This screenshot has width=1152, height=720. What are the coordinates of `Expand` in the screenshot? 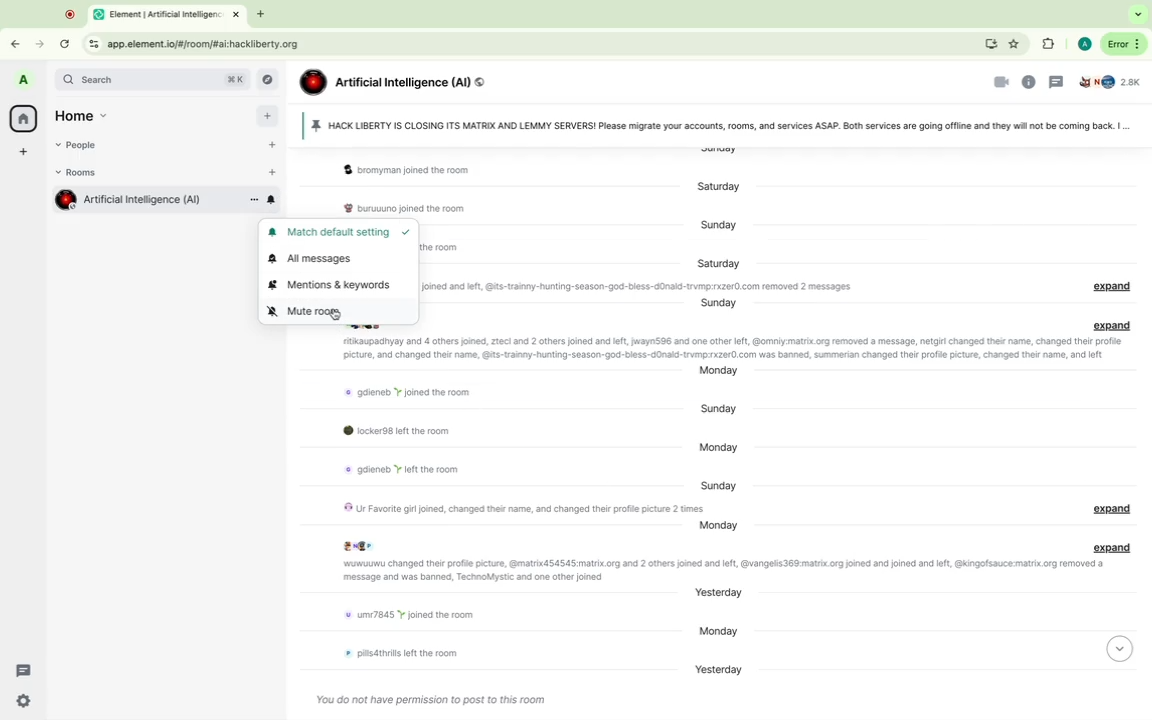 It's located at (1114, 509).